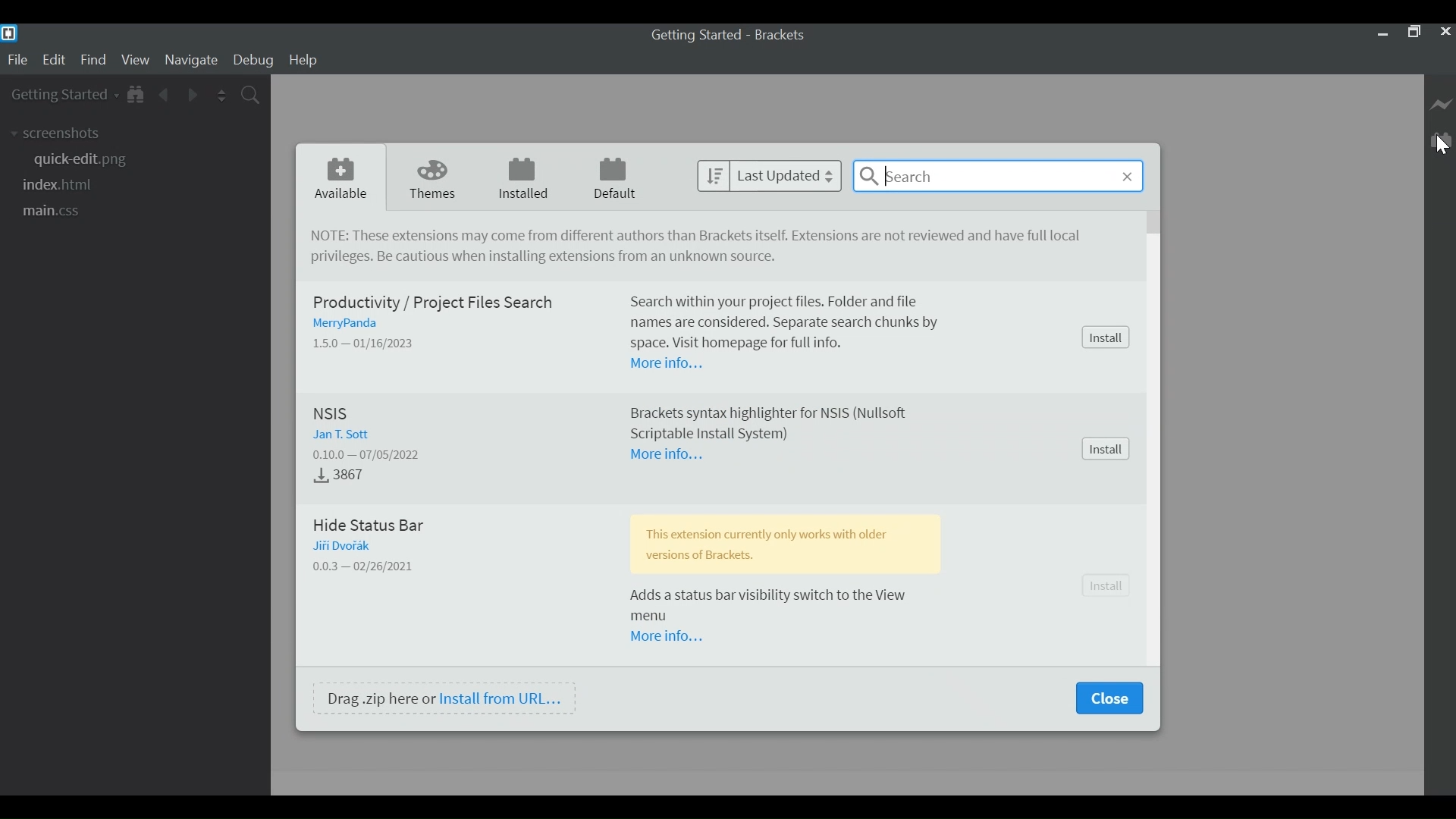 This screenshot has width=1456, height=819. What do you see at coordinates (542, 259) in the screenshot?
I see `Be cautious when installing extensions from unkown source` at bounding box center [542, 259].